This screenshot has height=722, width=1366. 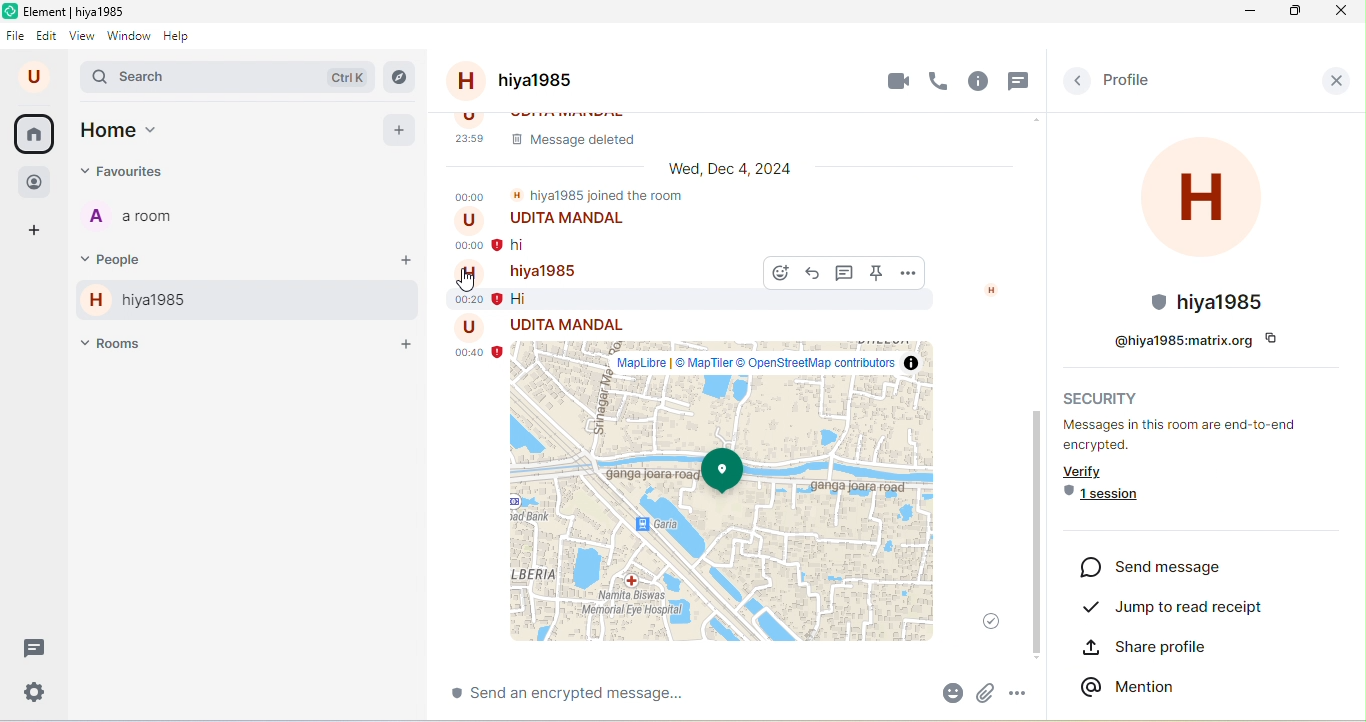 I want to click on a room, so click(x=141, y=218).